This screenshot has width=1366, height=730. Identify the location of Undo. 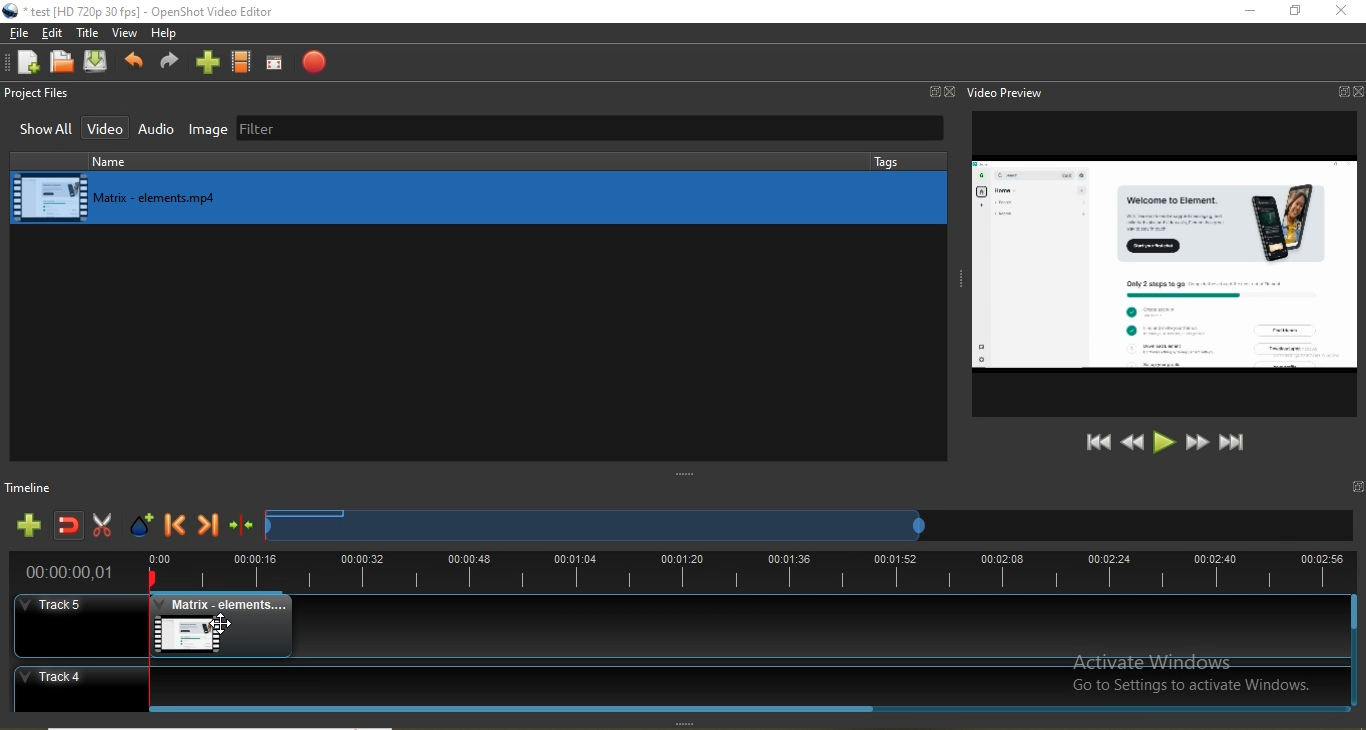
(136, 63).